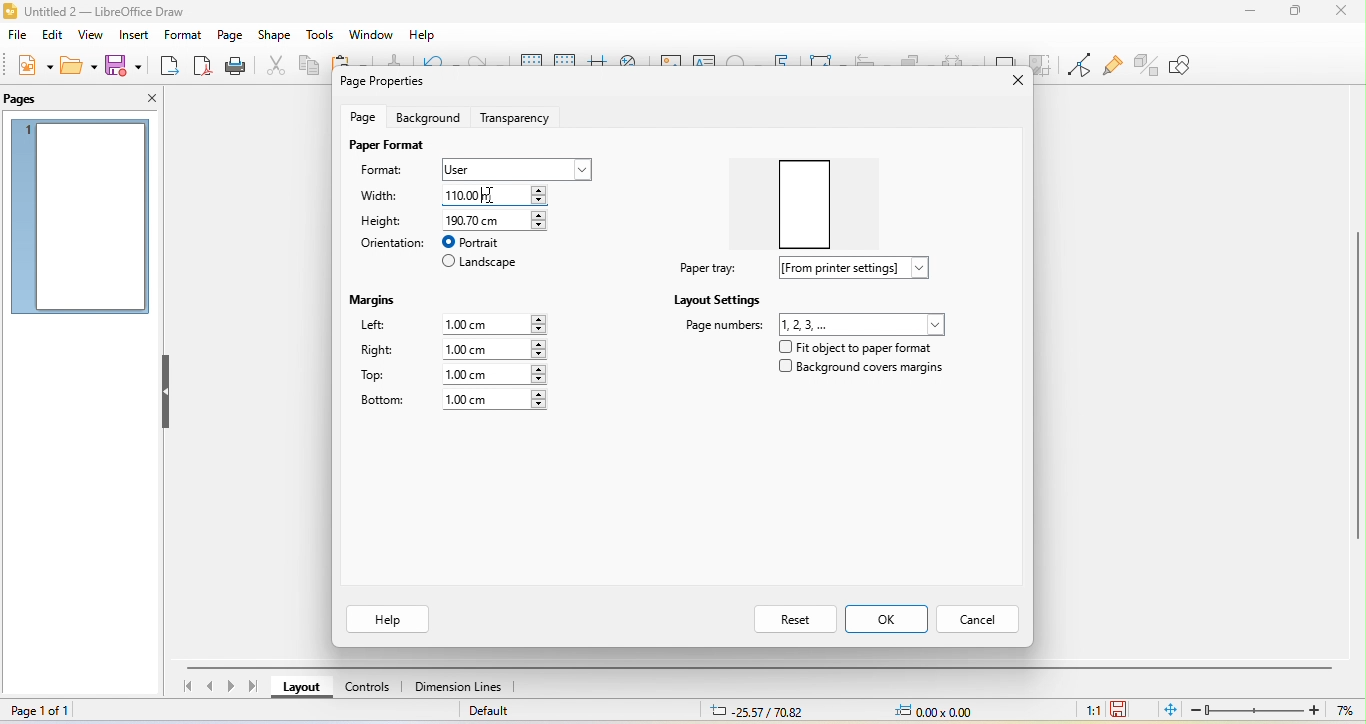  Describe the element at coordinates (144, 98) in the screenshot. I see `close` at that location.